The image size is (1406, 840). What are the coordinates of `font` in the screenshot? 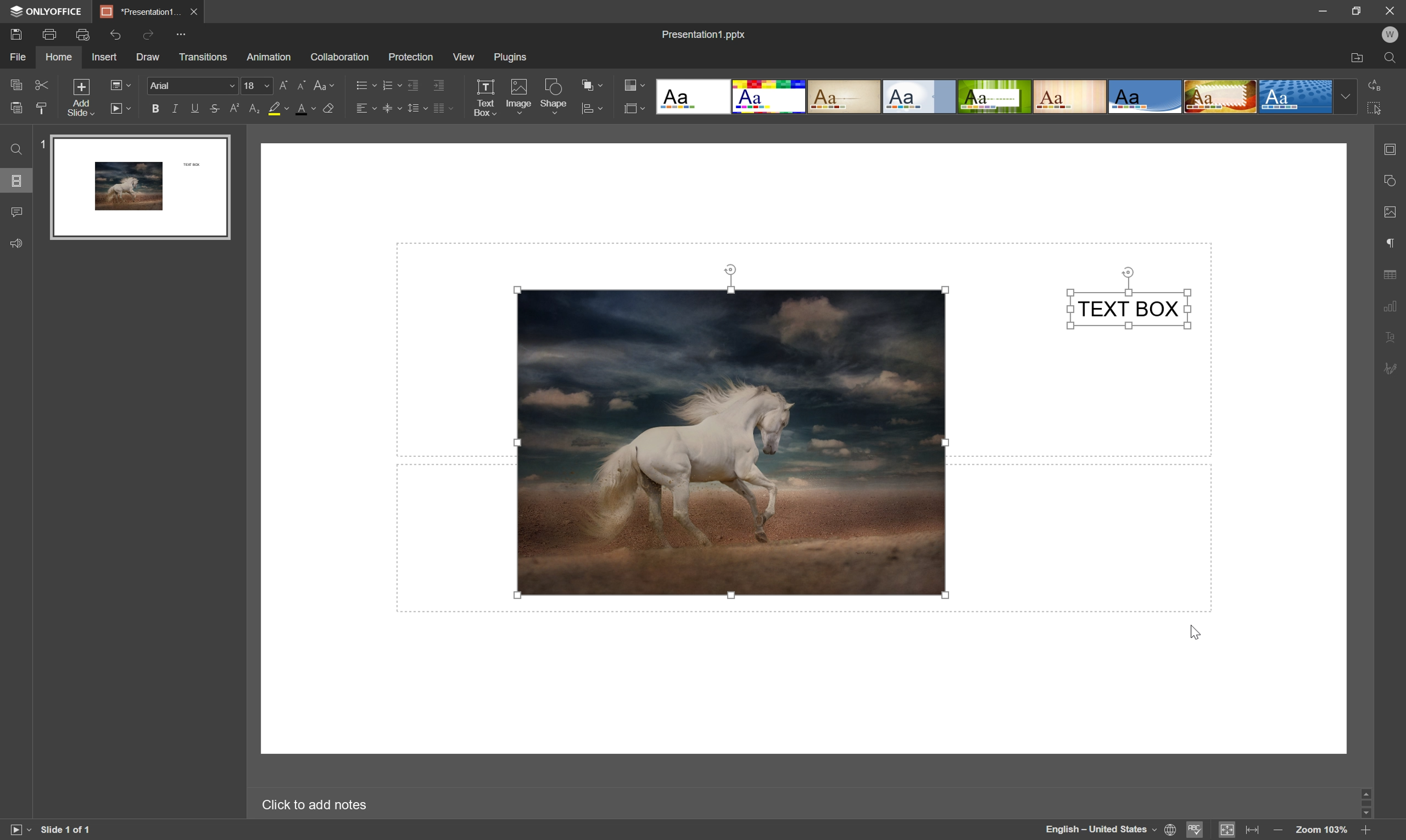 It's located at (191, 84).